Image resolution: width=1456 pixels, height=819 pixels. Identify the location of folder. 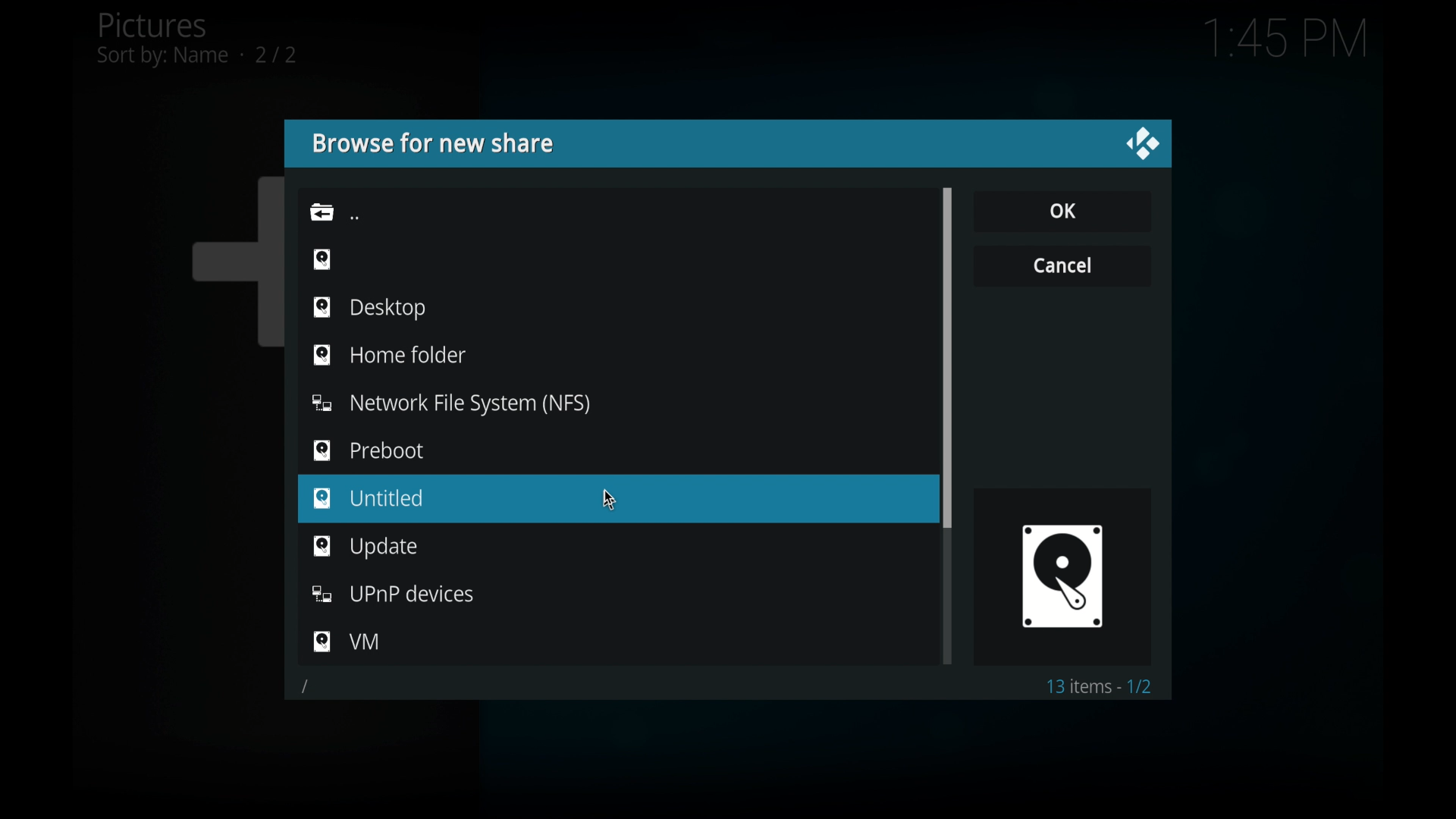
(345, 640).